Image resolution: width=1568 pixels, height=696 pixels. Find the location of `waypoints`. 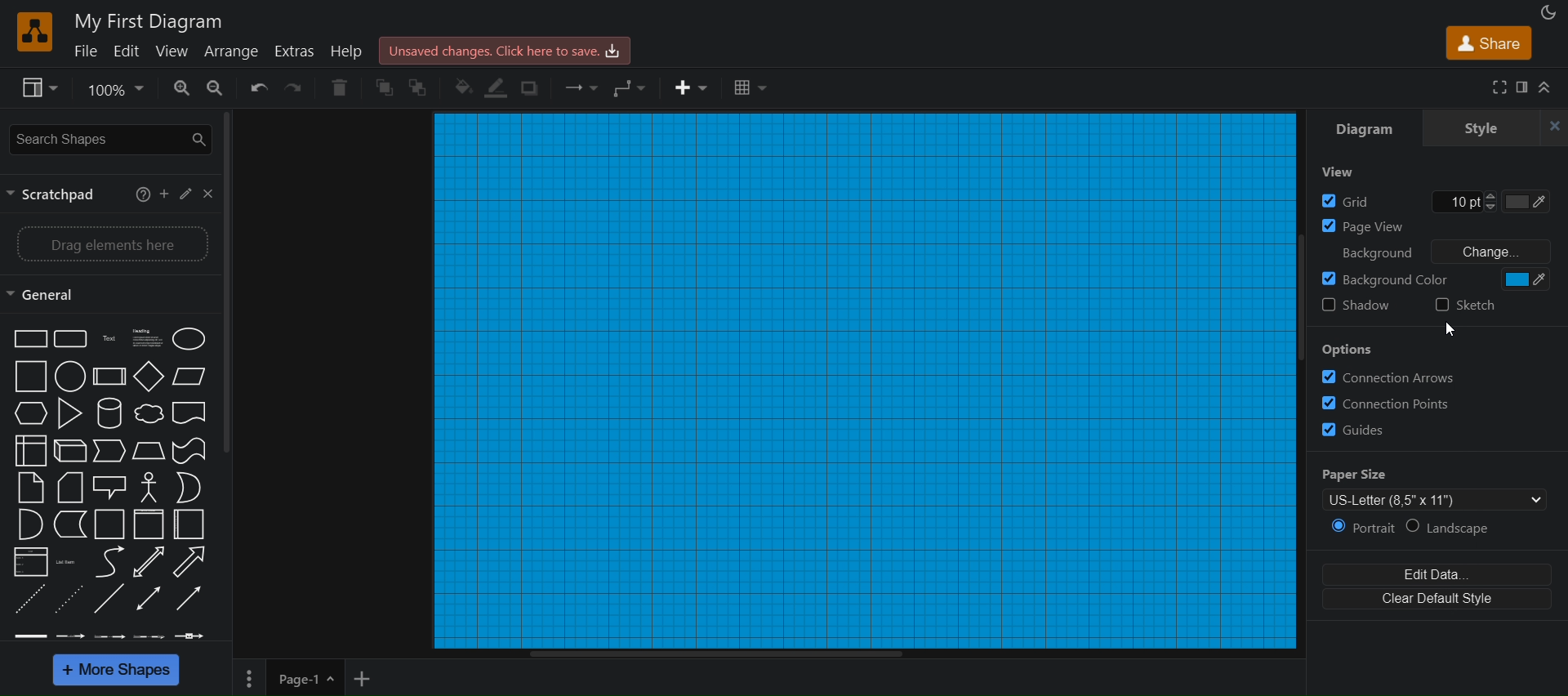

waypoints is located at coordinates (630, 89).